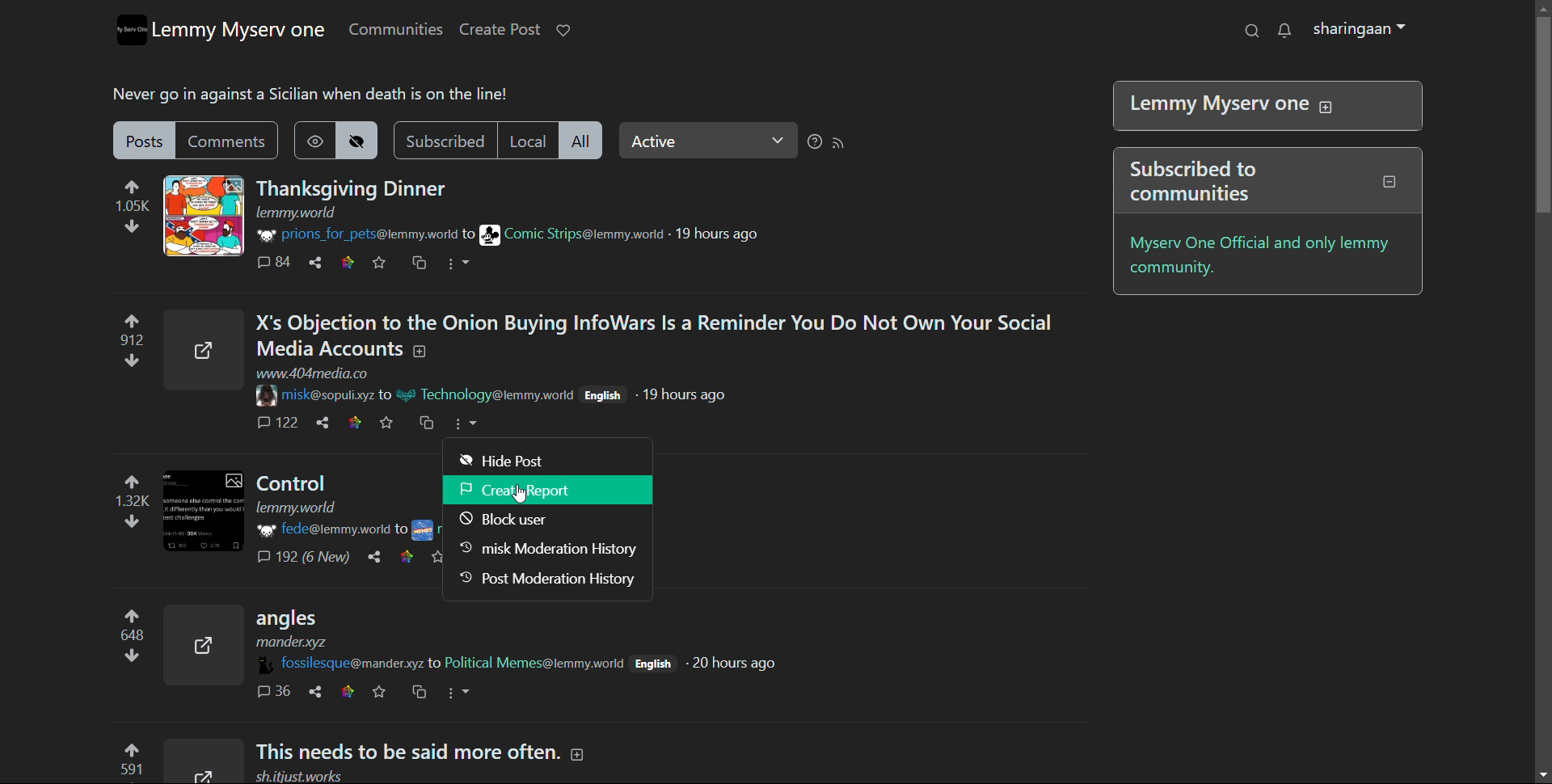  I want to click on scroll up, so click(1542, 6).